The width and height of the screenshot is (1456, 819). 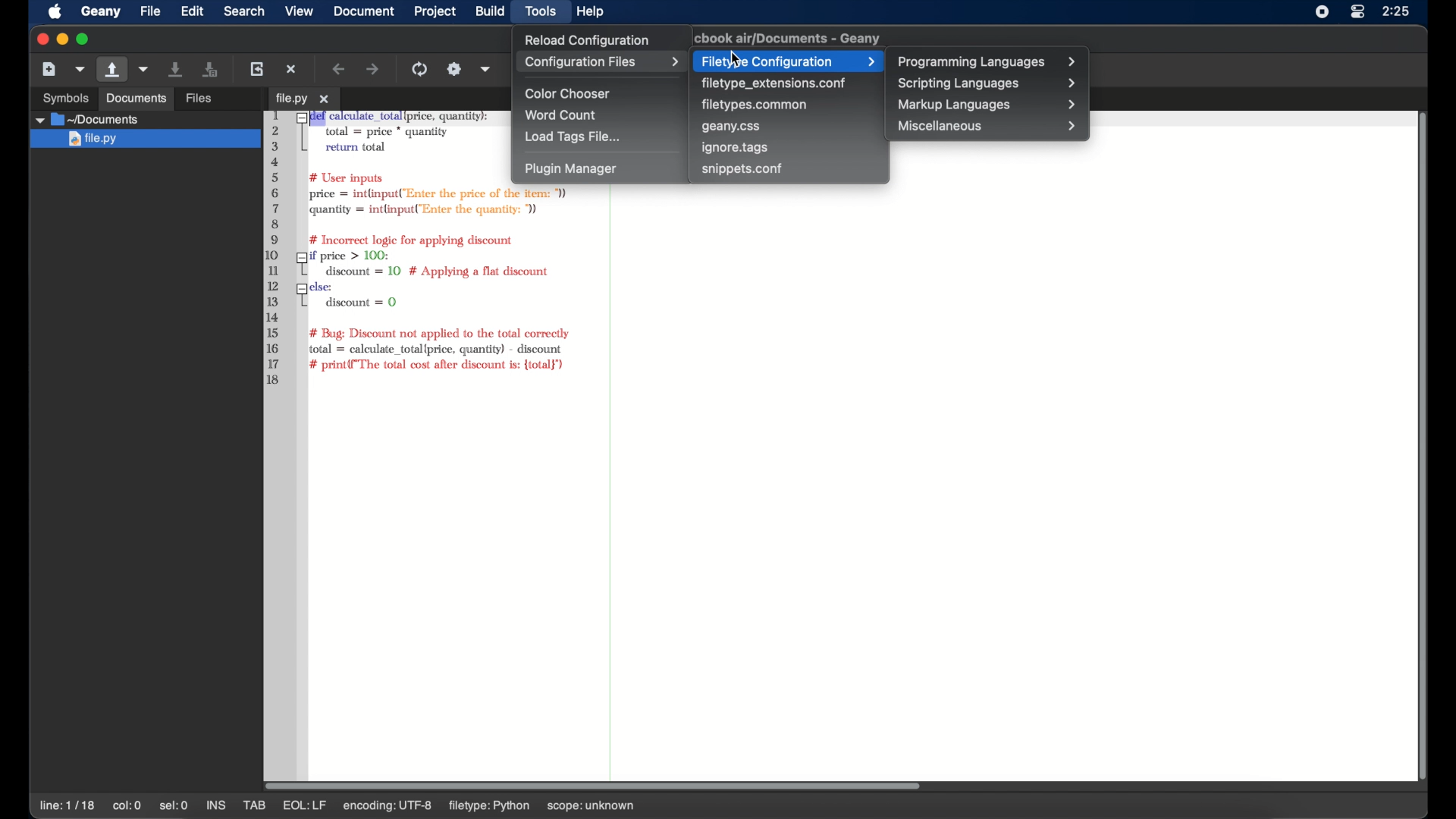 What do you see at coordinates (193, 11) in the screenshot?
I see `edit` at bounding box center [193, 11].